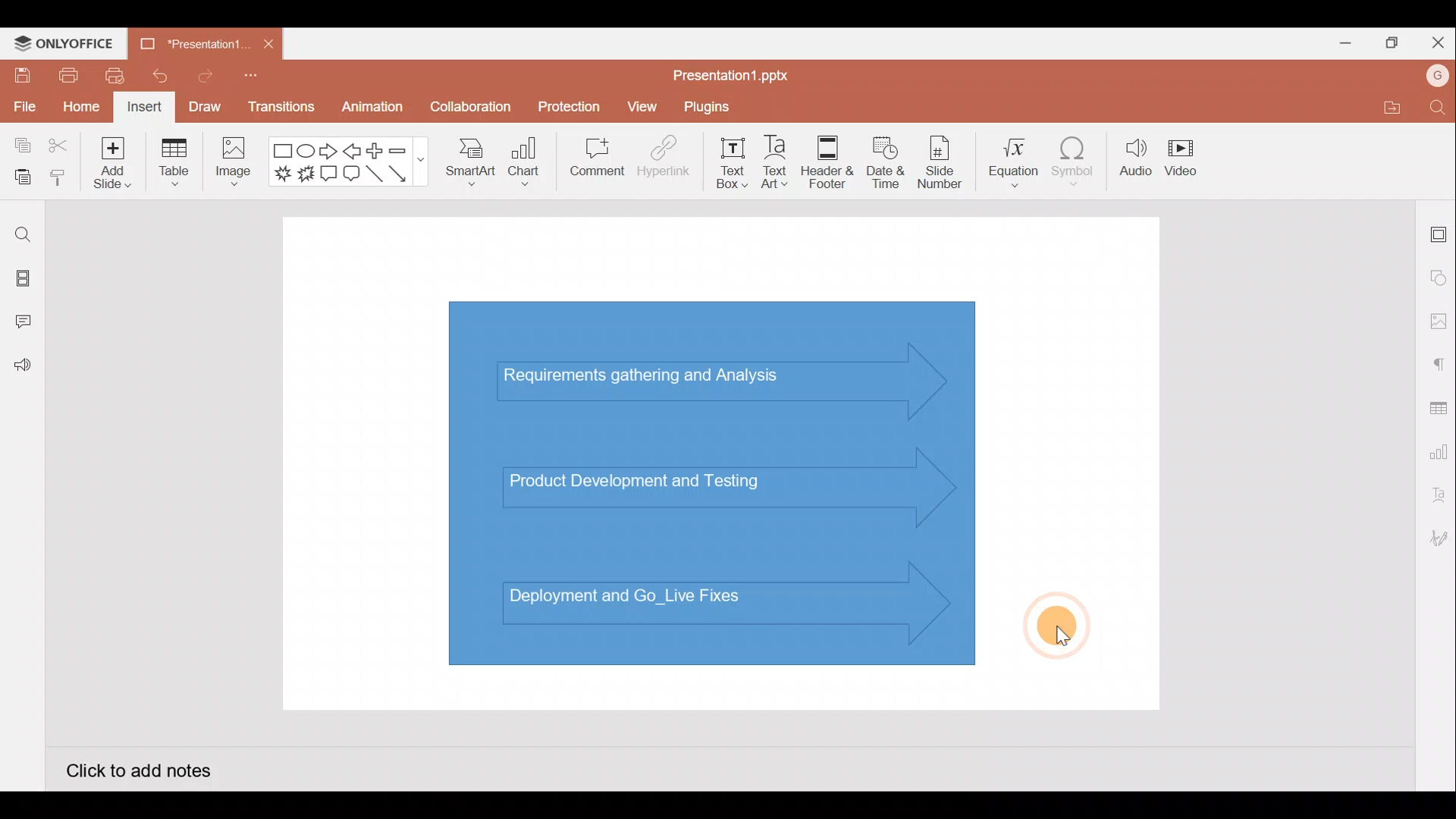  What do you see at coordinates (306, 174) in the screenshot?
I see `Explosion 2` at bounding box center [306, 174].